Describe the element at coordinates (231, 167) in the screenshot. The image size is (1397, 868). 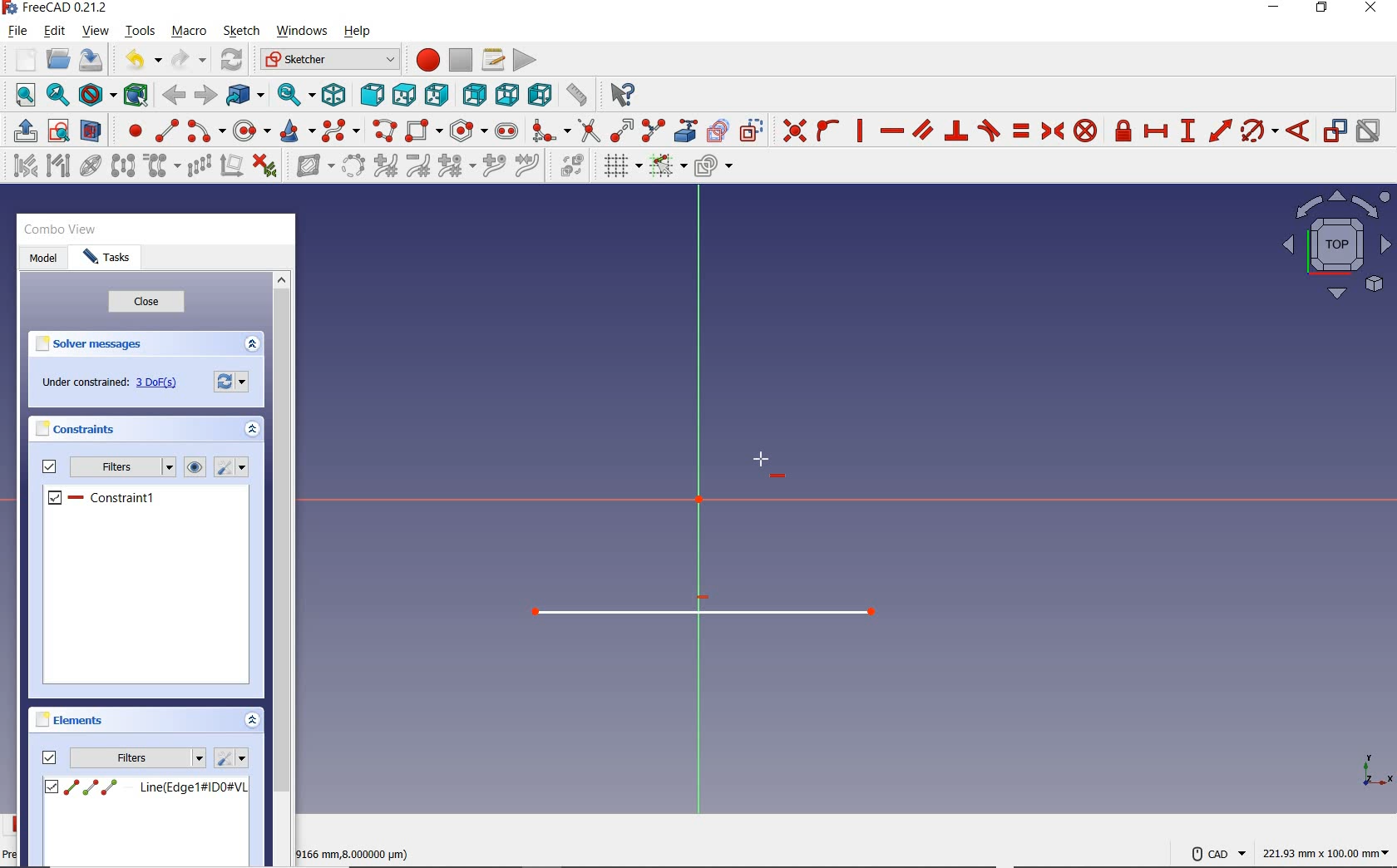
I see `SREMOVE AXES ALIGNMENT` at that location.